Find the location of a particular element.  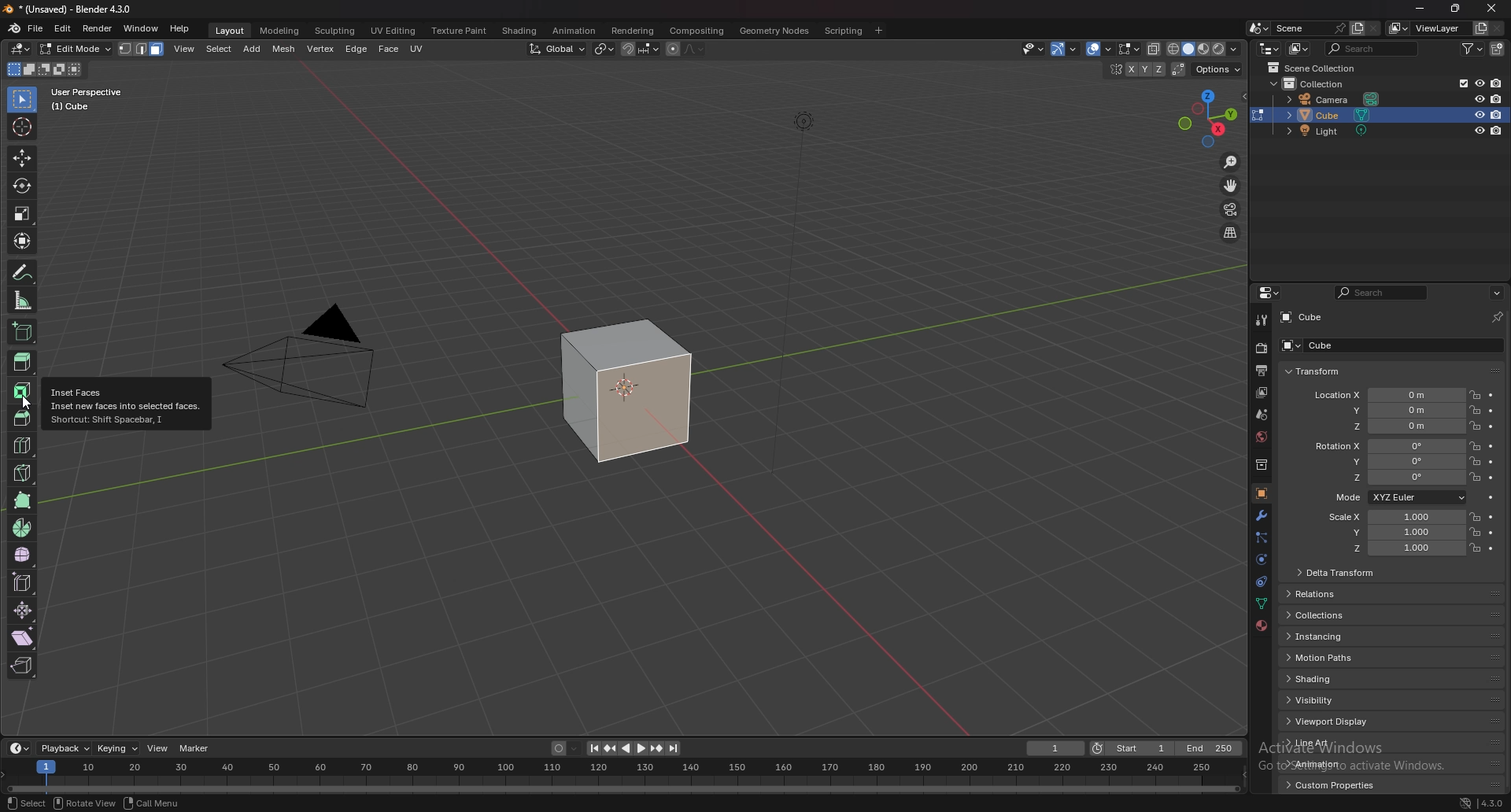

extrude region is located at coordinates (23, 362).